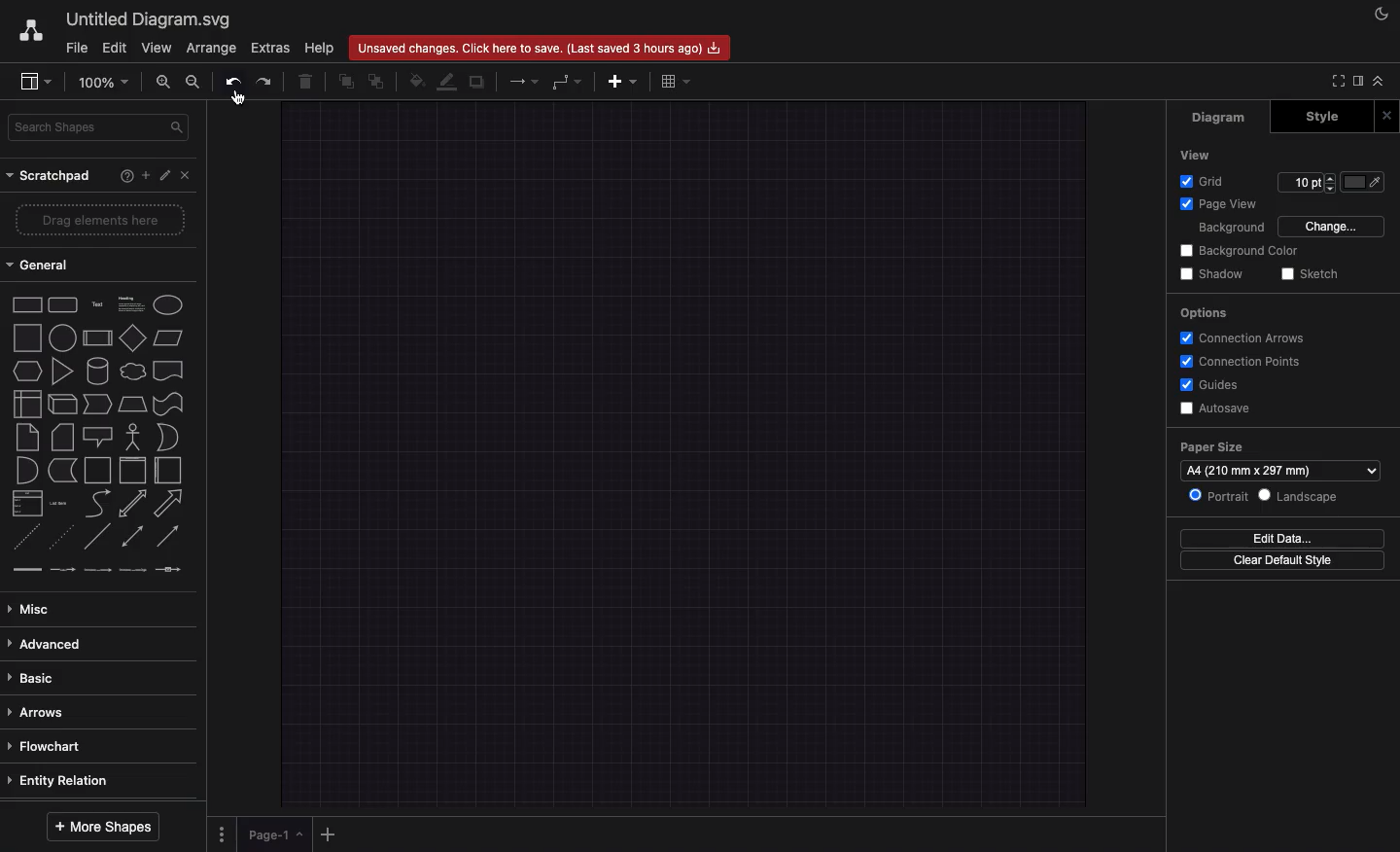 This screenshot has width=1400, height=852. Describe the element at coordinates (230, 83) in the screenshot. I see `Undo` at that location.